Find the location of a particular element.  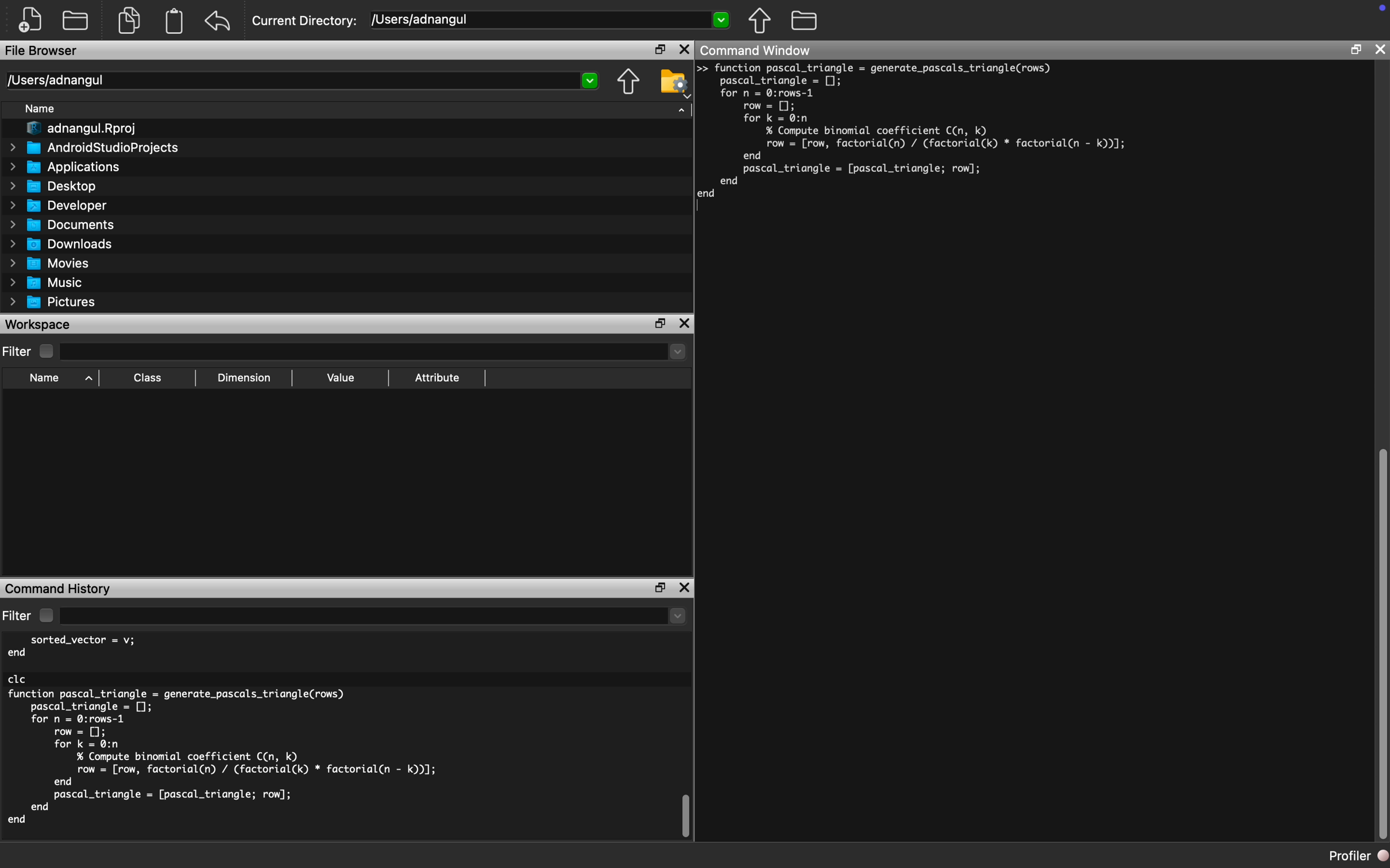

Name is located at coordinates (39, 109).